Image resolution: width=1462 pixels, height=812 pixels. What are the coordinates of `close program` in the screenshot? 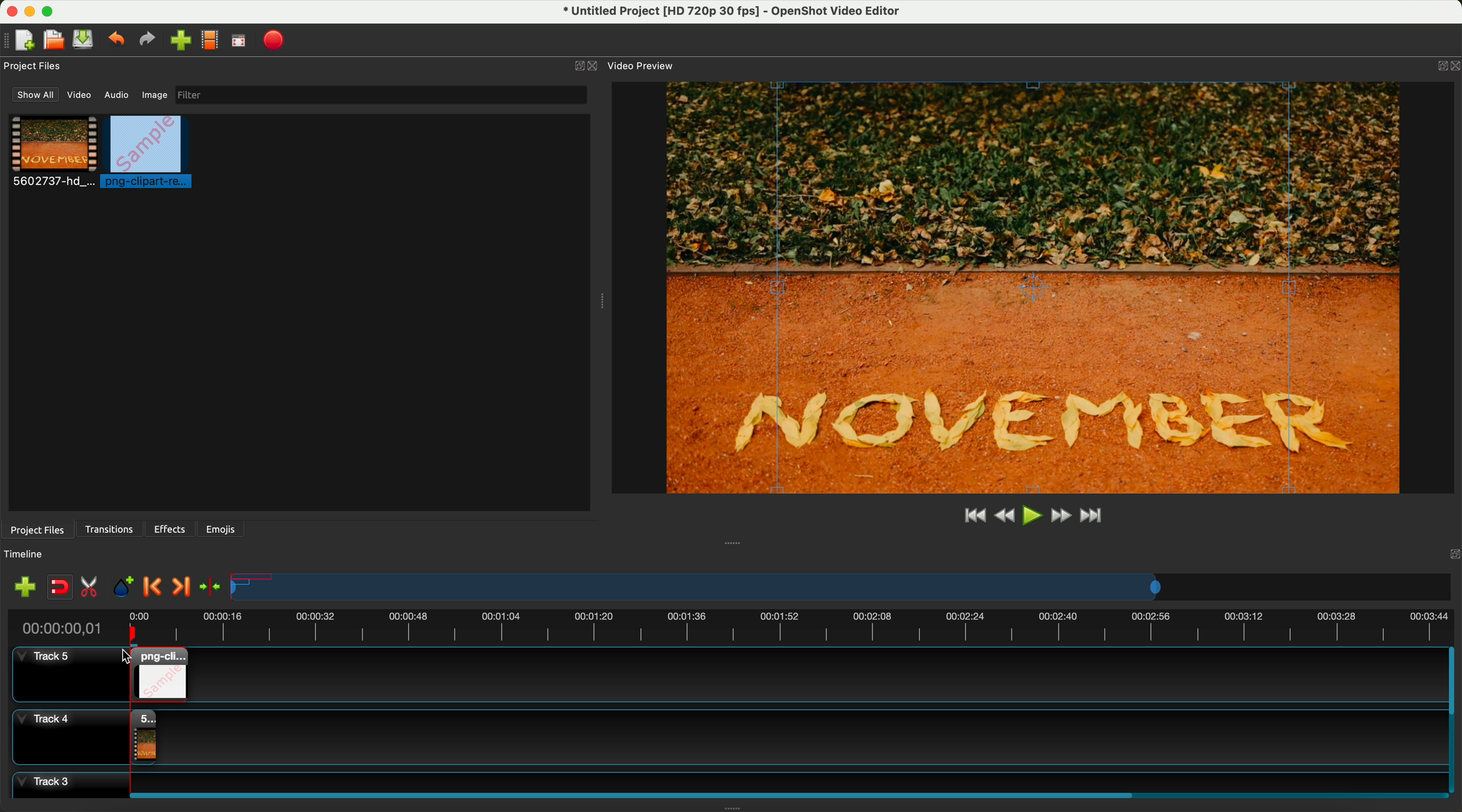 It's located at (9, 10).